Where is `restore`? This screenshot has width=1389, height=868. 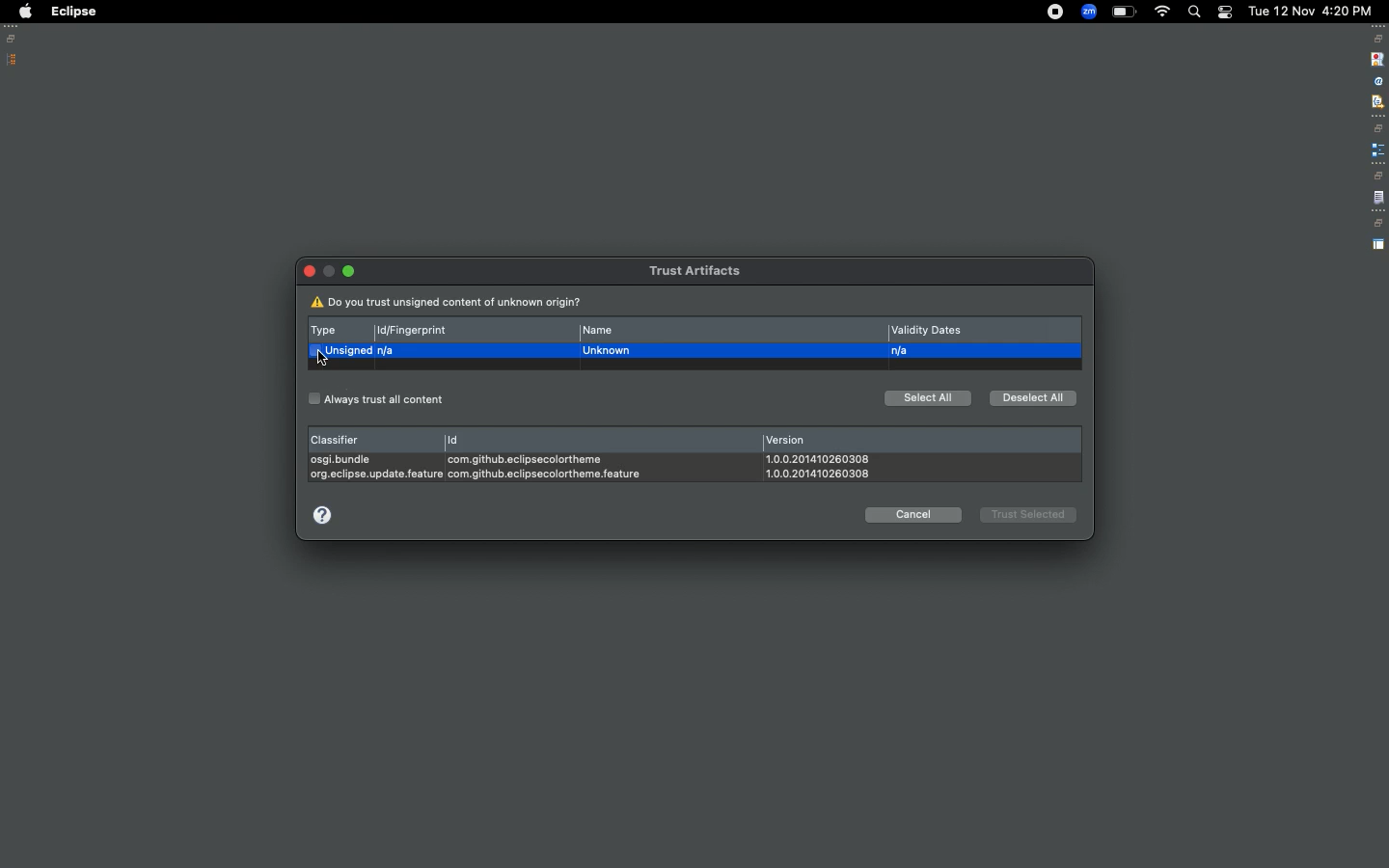
restore is located at coordinates (1379, 128).